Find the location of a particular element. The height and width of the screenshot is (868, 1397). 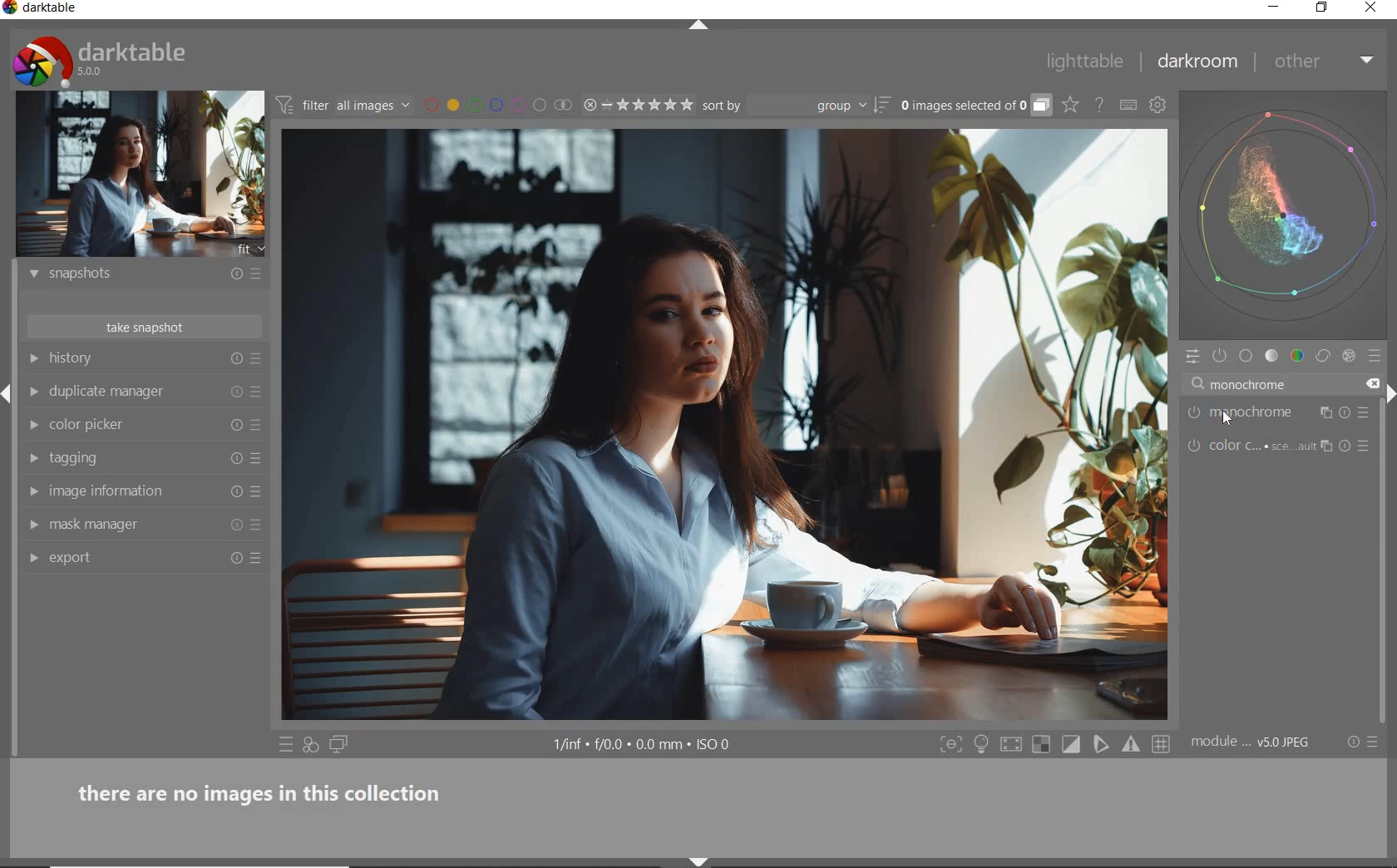

show module is located at coordinates (32, 358).